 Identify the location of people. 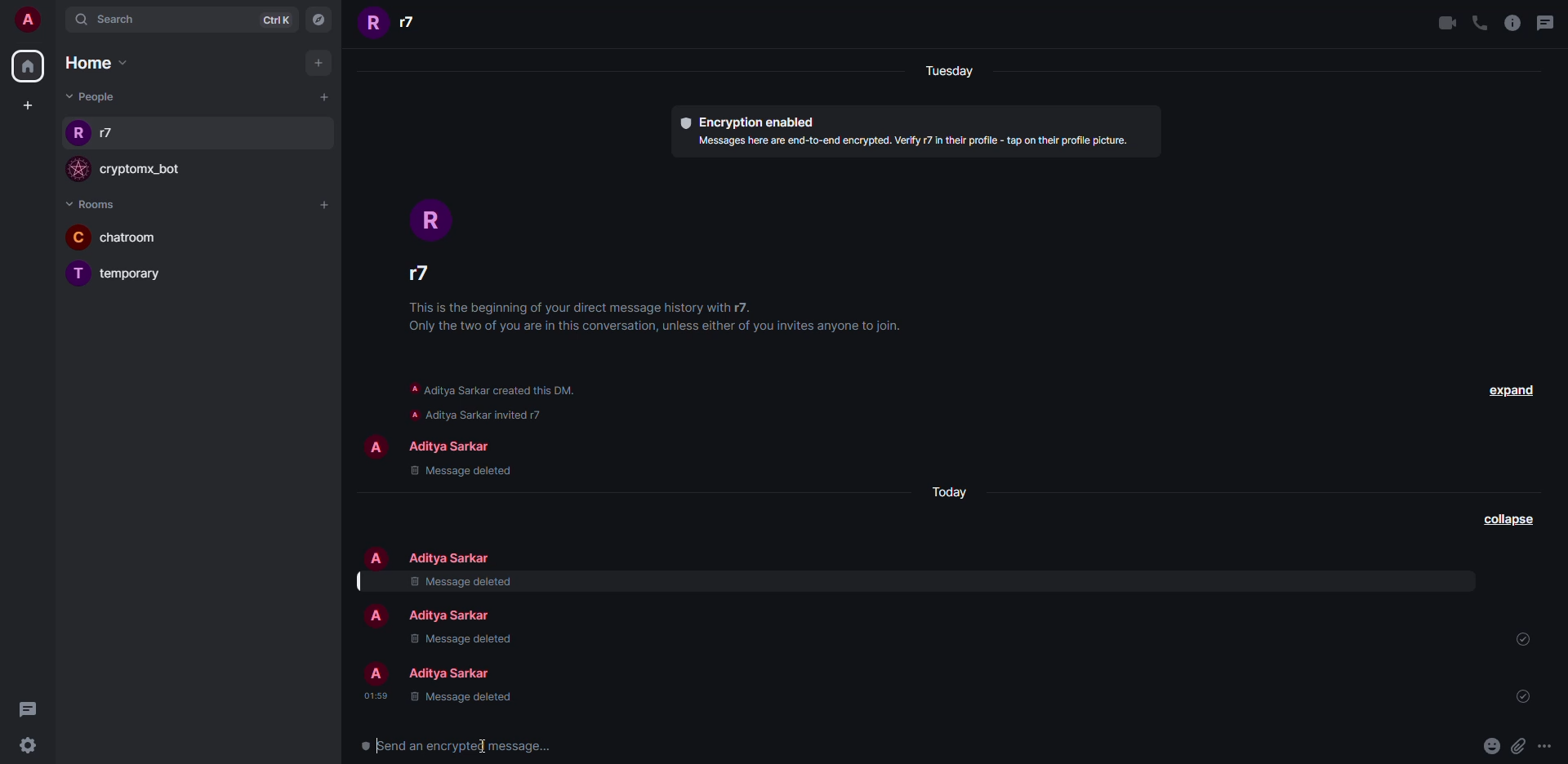
(111, 135).